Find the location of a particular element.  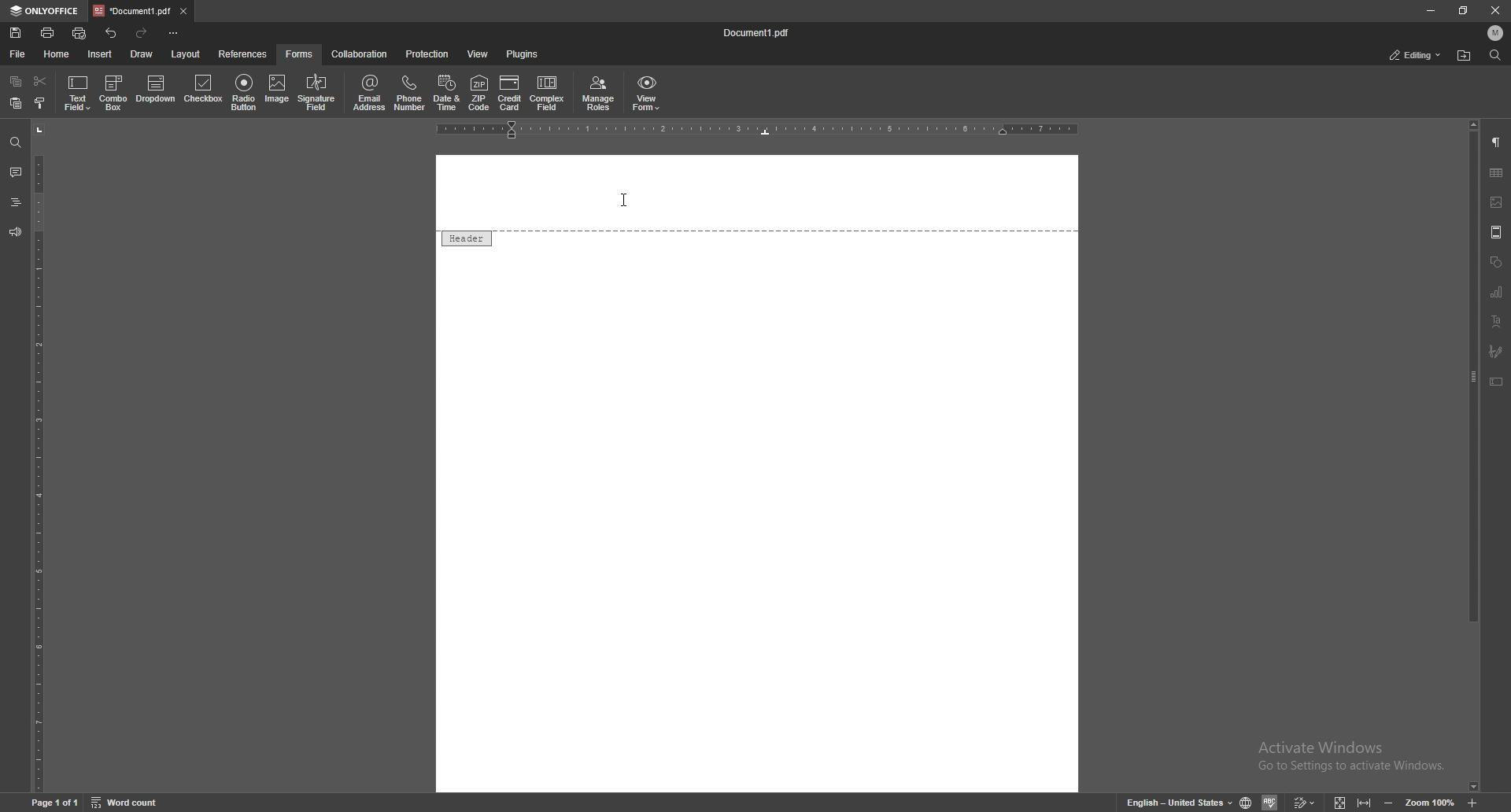

view is located at coordinates (477, 54).